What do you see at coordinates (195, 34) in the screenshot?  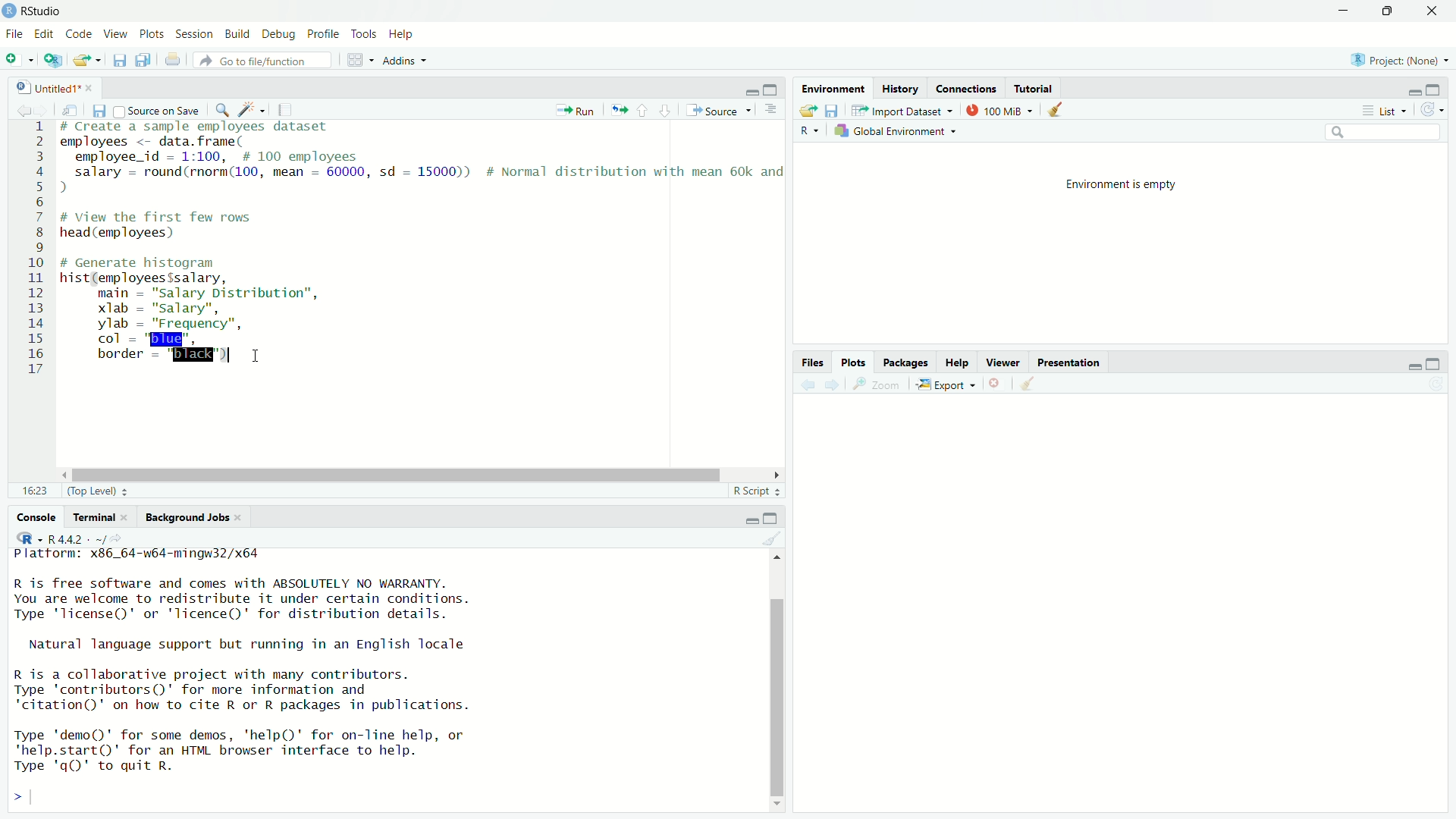 I see `Session` at bounding box center [195, 34].